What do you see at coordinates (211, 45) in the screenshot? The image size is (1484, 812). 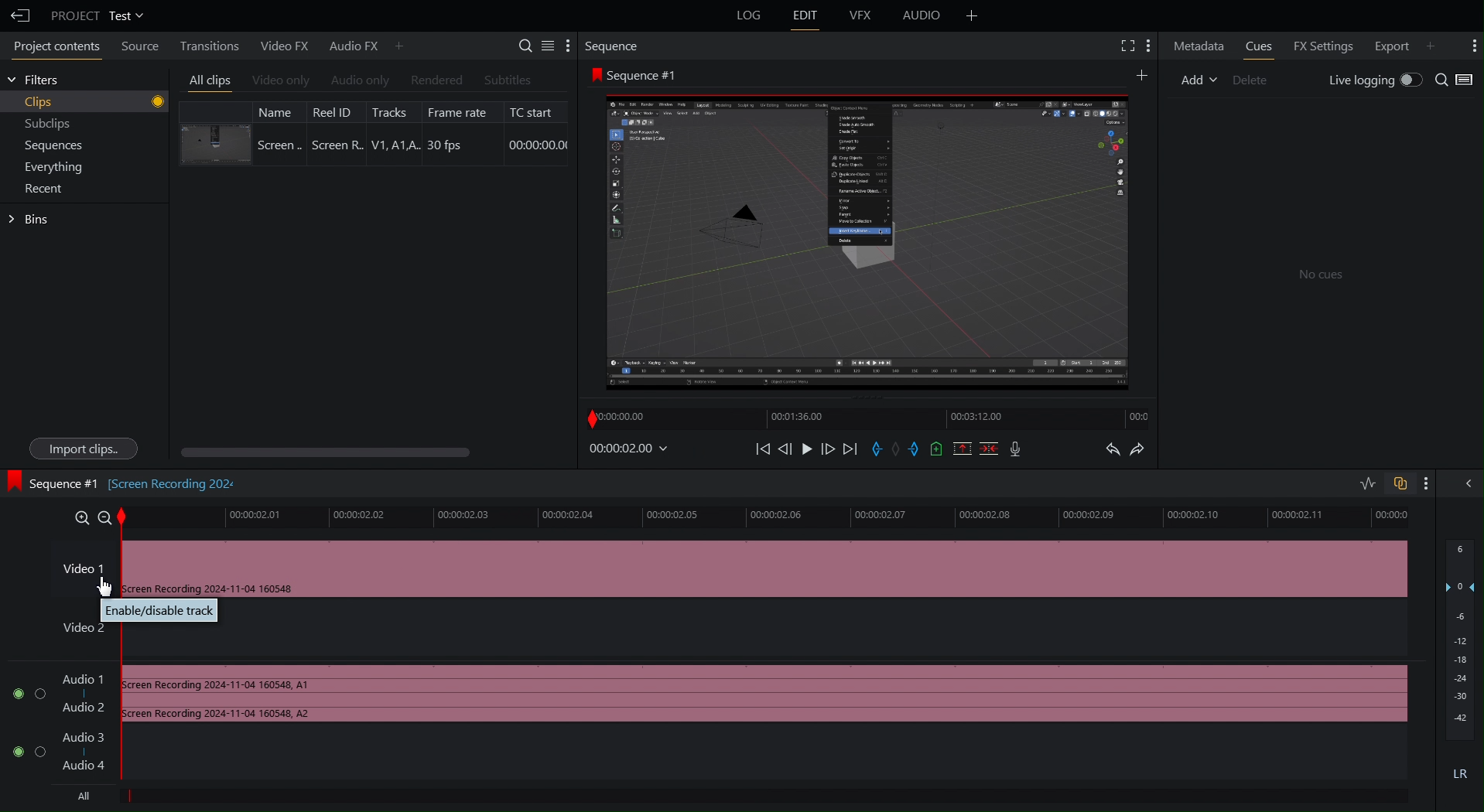 I see `Transitions` at bounding box center [211, 45].